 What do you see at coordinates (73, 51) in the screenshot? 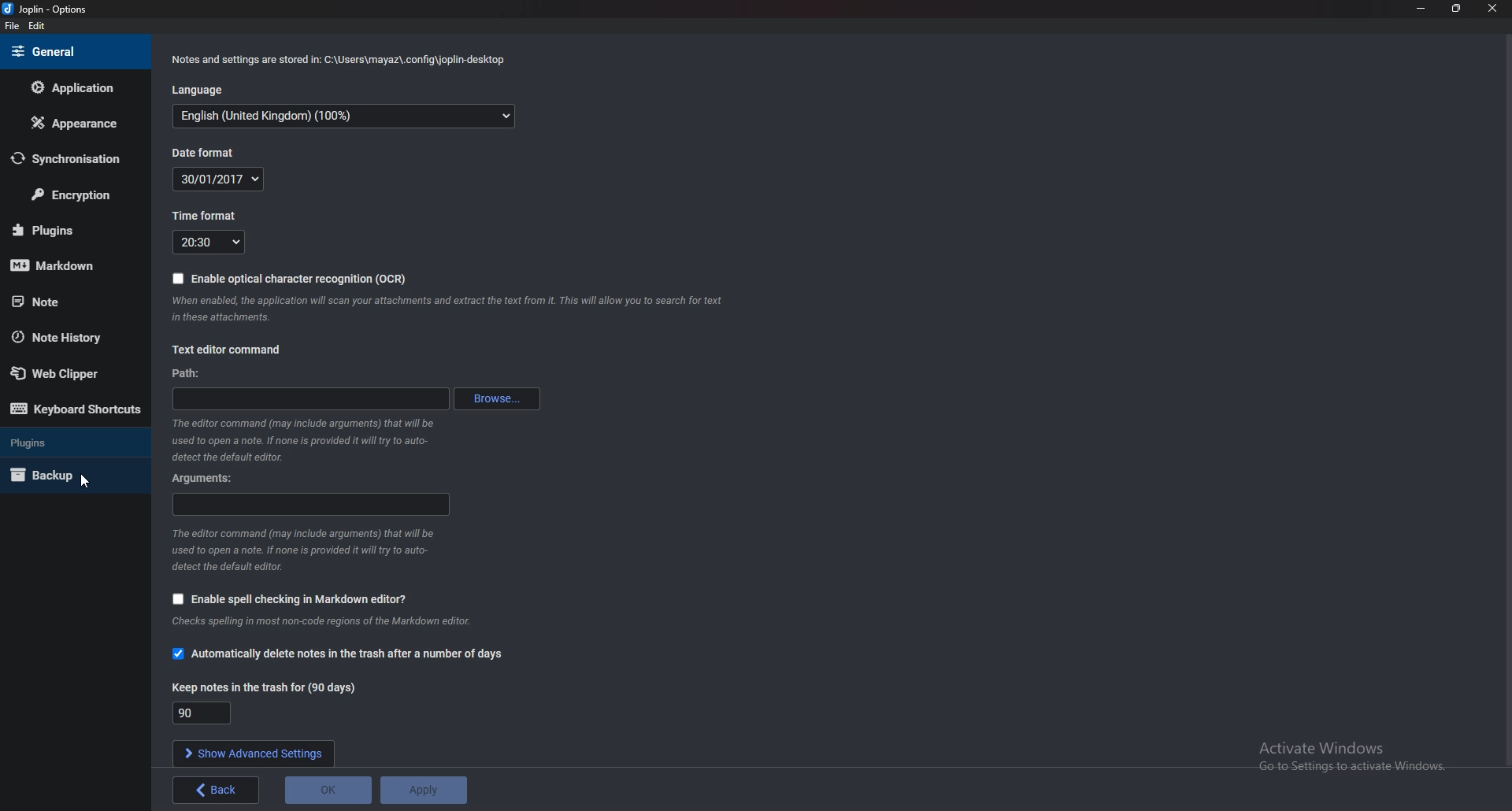
I see `General` at bounding box center [73, 51].